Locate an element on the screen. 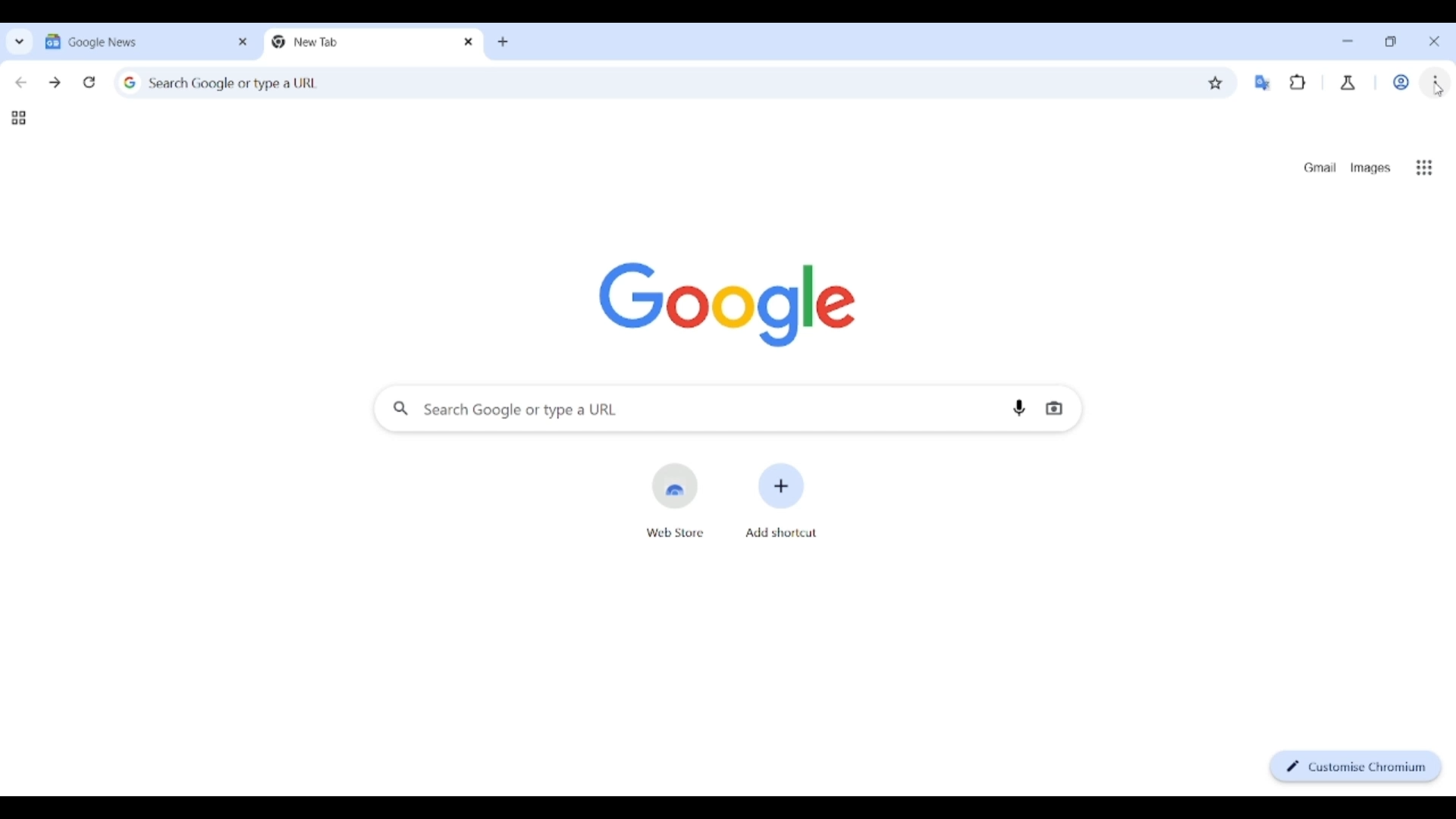  Search by voice is located at coordinates (1019, 408).